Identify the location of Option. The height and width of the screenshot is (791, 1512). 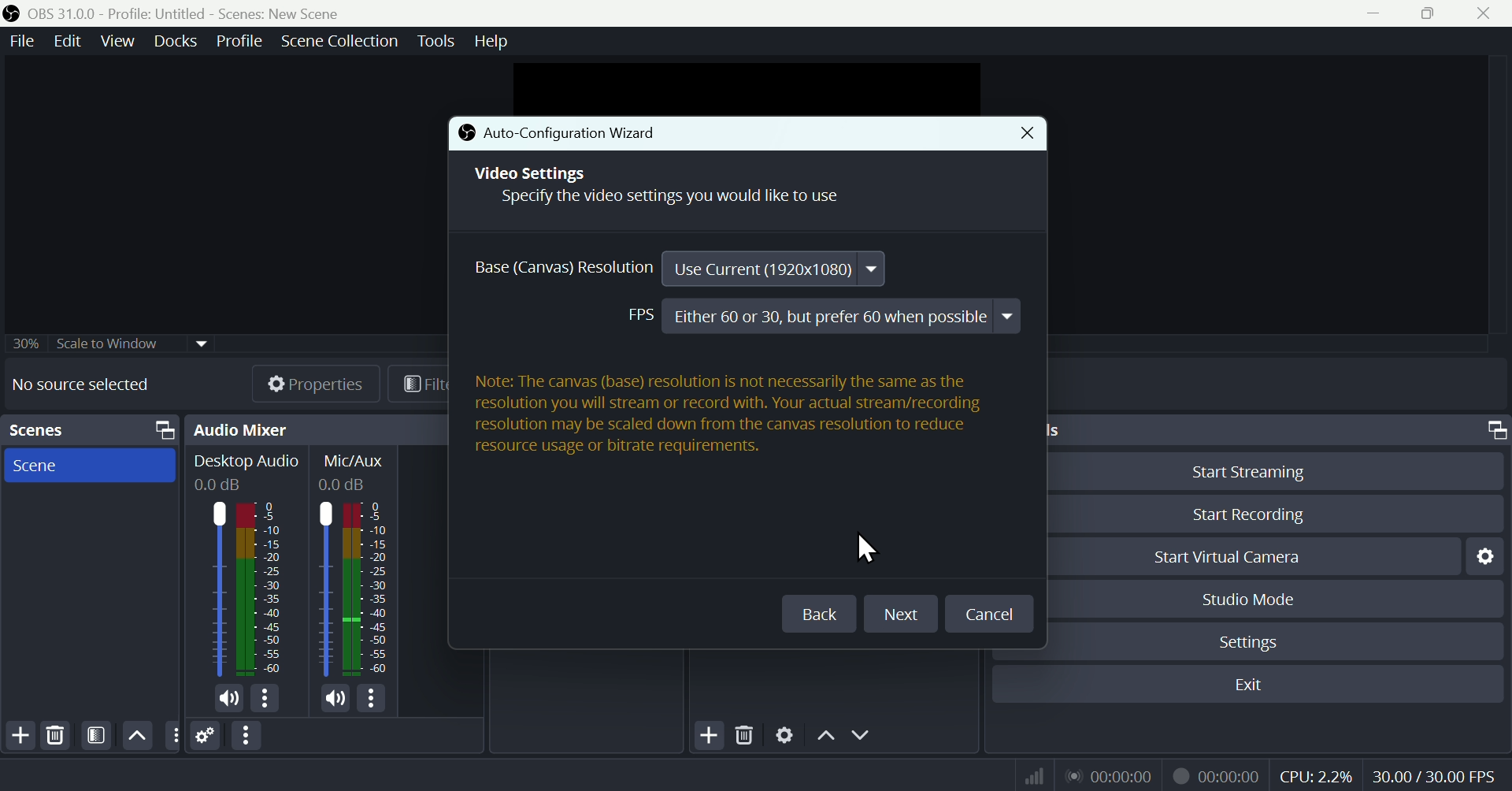
(248, 736).